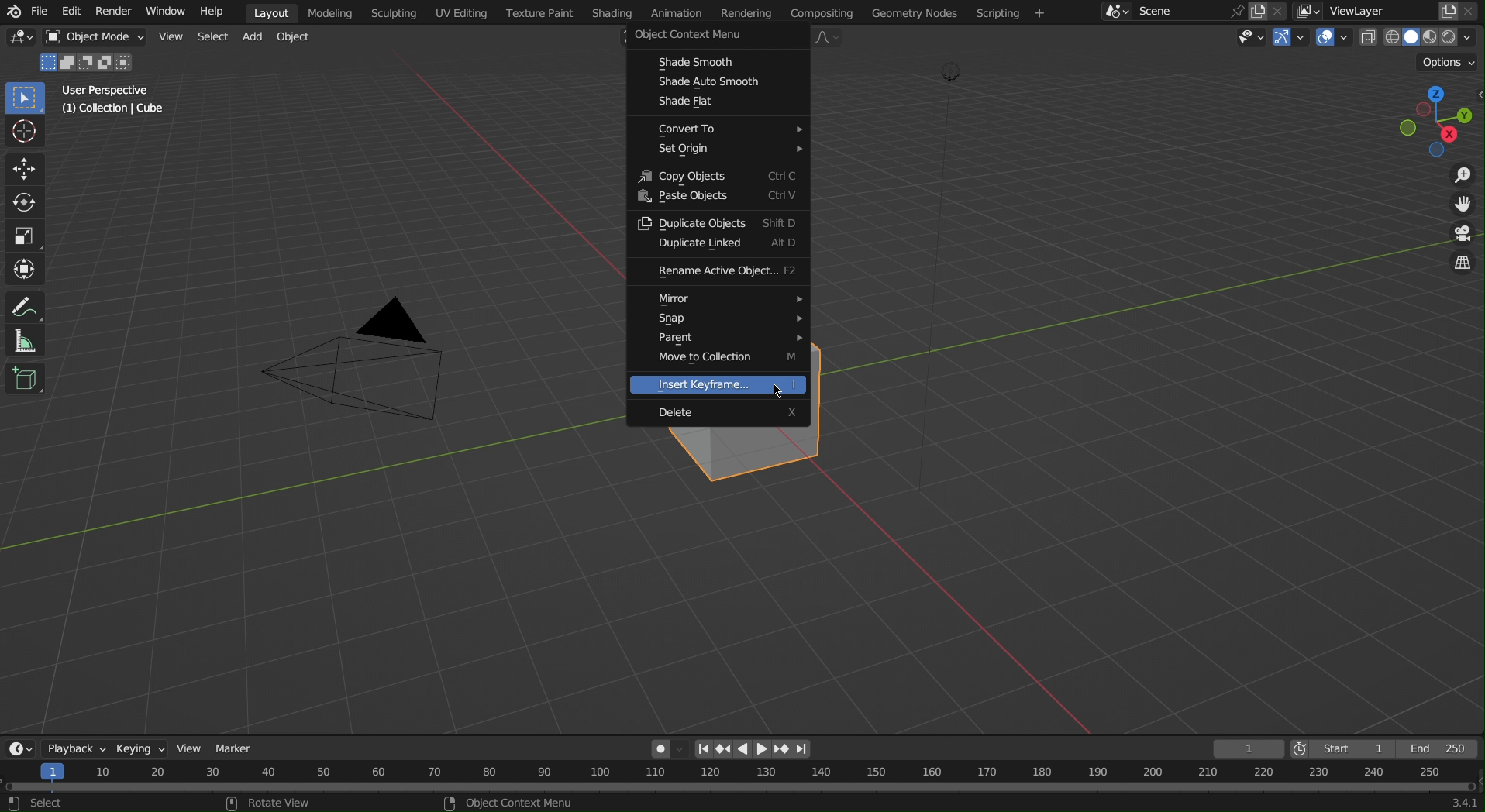 The width and height of the screenshot is (1485, 812). I want to click on Viewpoint, so click(1417, 122).